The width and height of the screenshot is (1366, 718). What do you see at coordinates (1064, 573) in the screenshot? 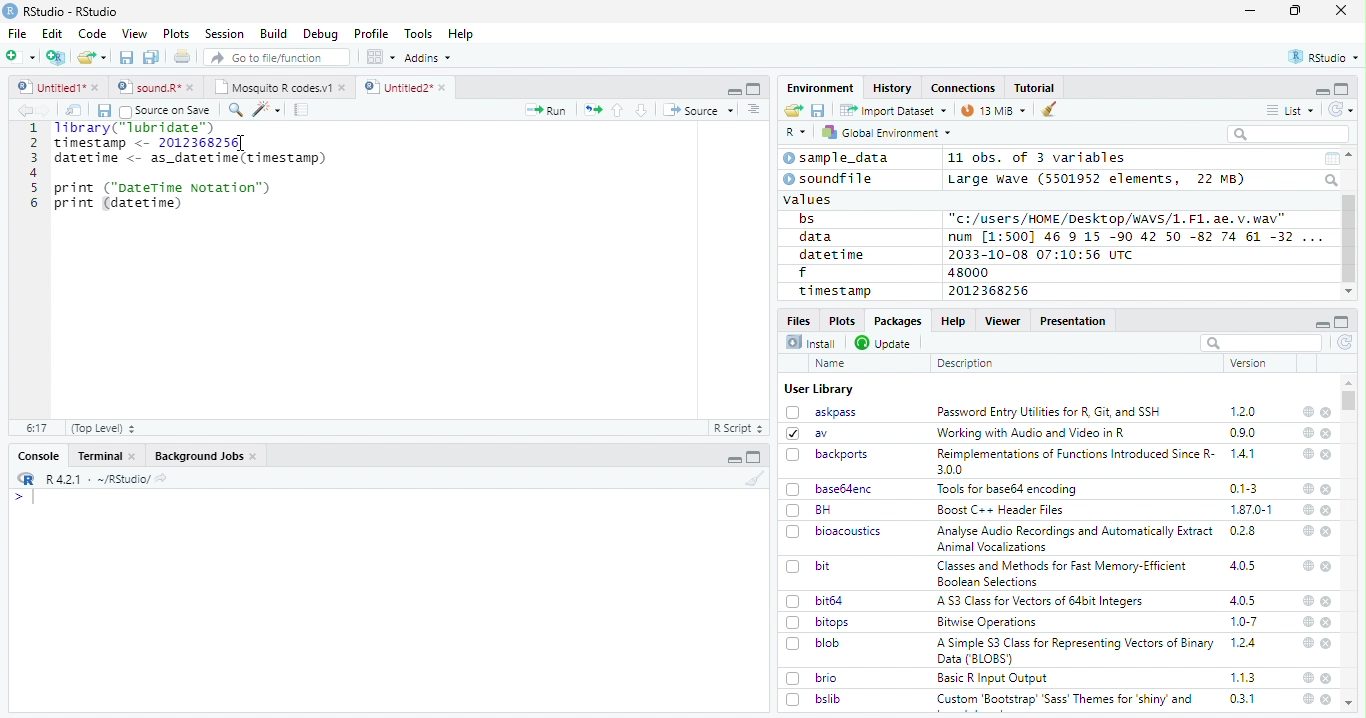
I see `(Classes and Methods for Fast Memory-Efficient
Boolean Selections` at bounding box center [1064, 573].